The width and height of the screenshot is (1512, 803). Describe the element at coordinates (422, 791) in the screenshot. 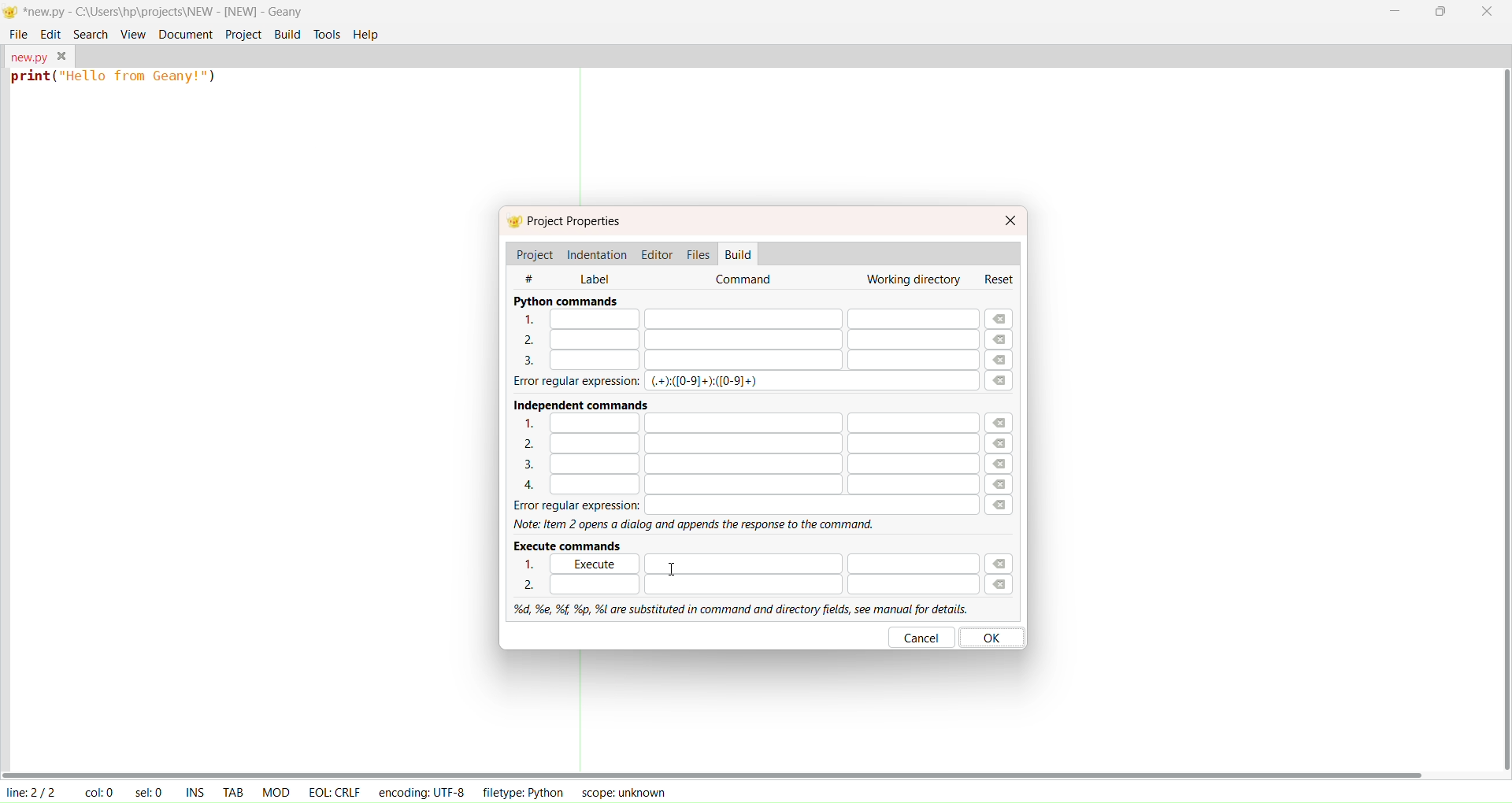

I see `encoding: UTF -8` at that location.